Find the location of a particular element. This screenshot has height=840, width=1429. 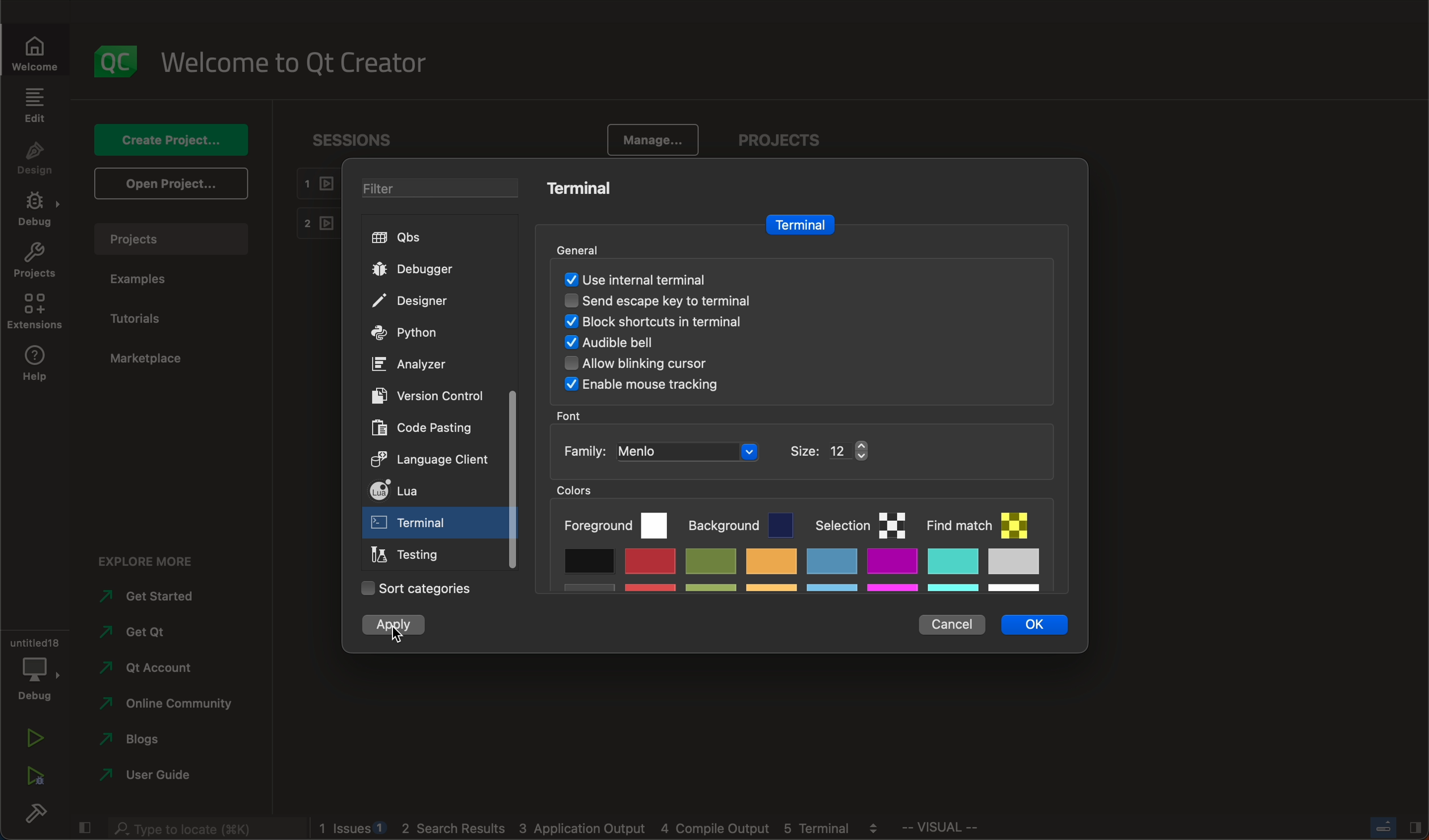

code is located at coordinates (424, 429).